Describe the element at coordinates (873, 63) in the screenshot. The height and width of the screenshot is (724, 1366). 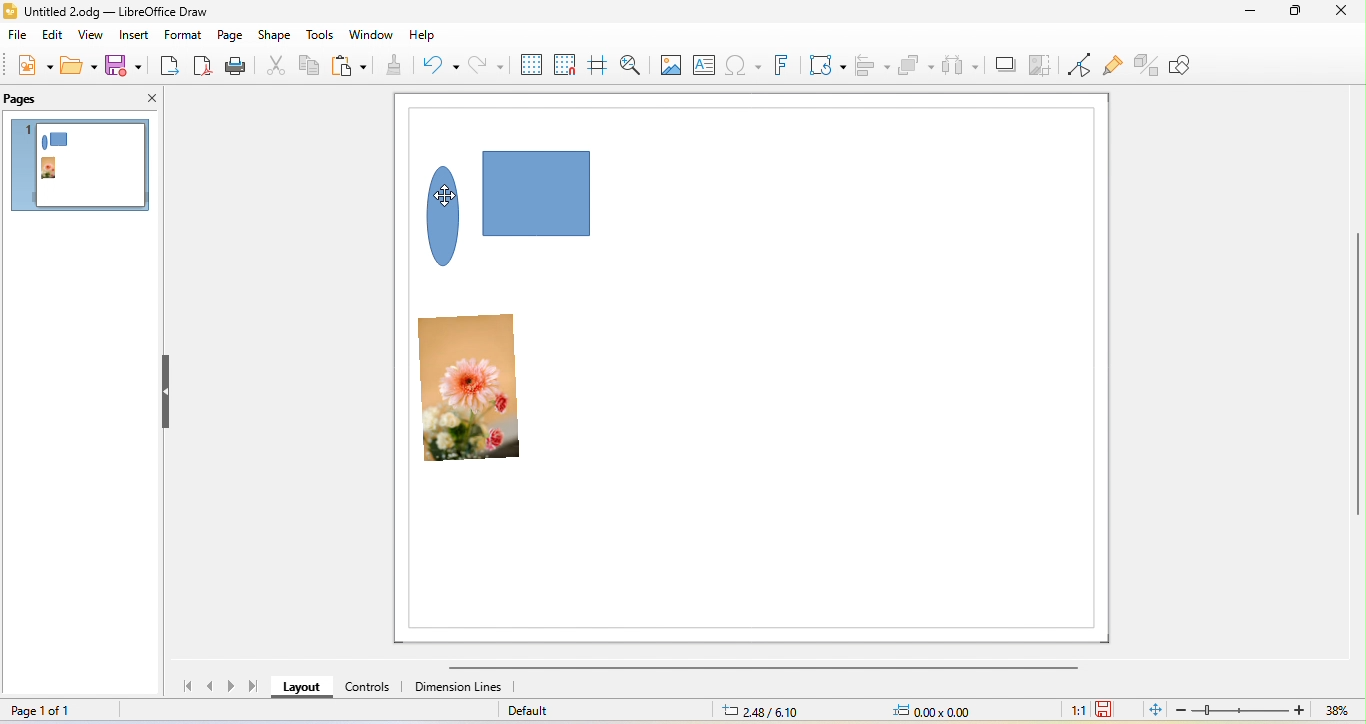
I see `align object` at that location.